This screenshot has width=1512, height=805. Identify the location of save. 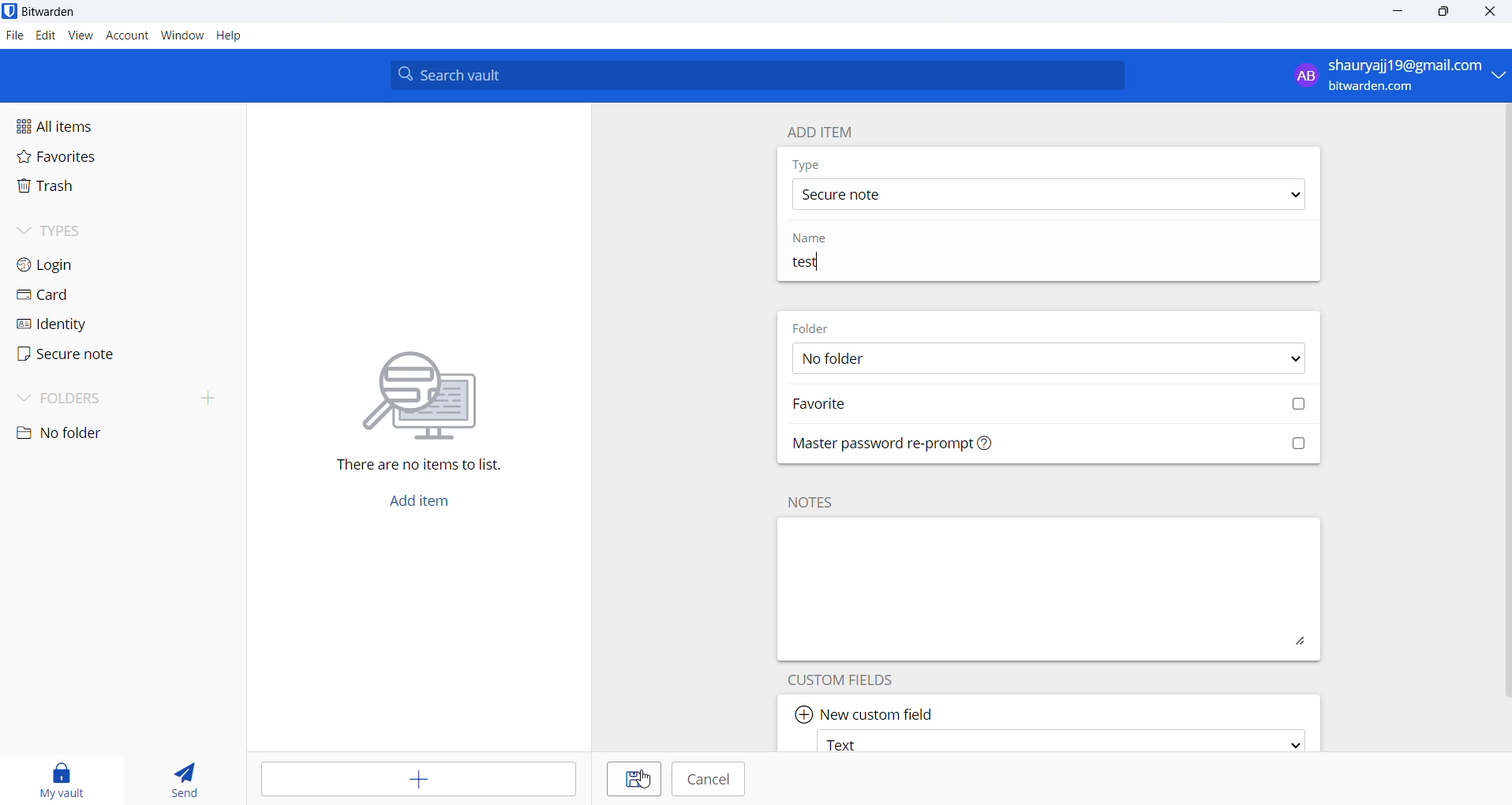
(627, 779).